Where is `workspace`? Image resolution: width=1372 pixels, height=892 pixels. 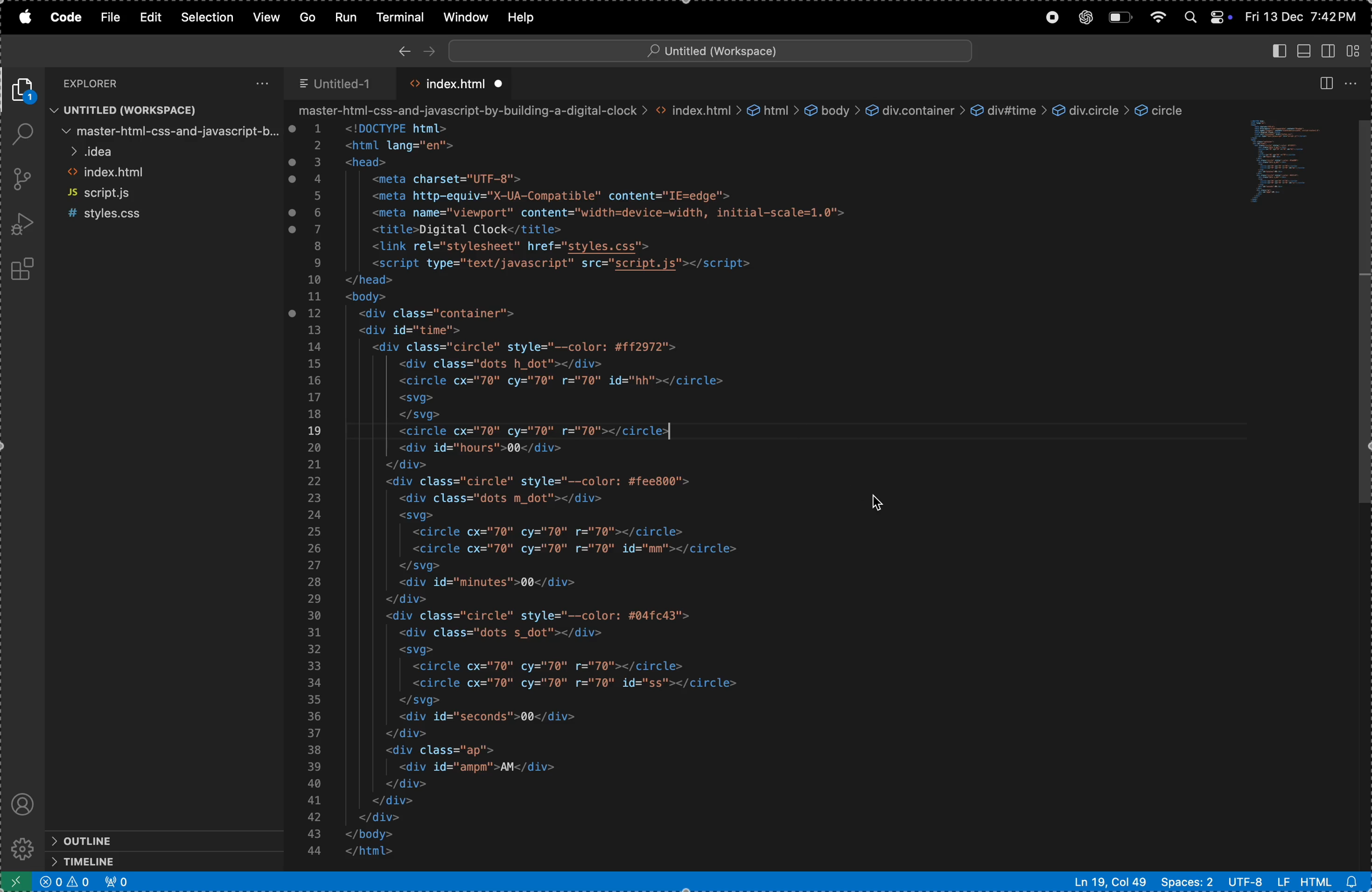
workspace is located at coordinates (164, 110).